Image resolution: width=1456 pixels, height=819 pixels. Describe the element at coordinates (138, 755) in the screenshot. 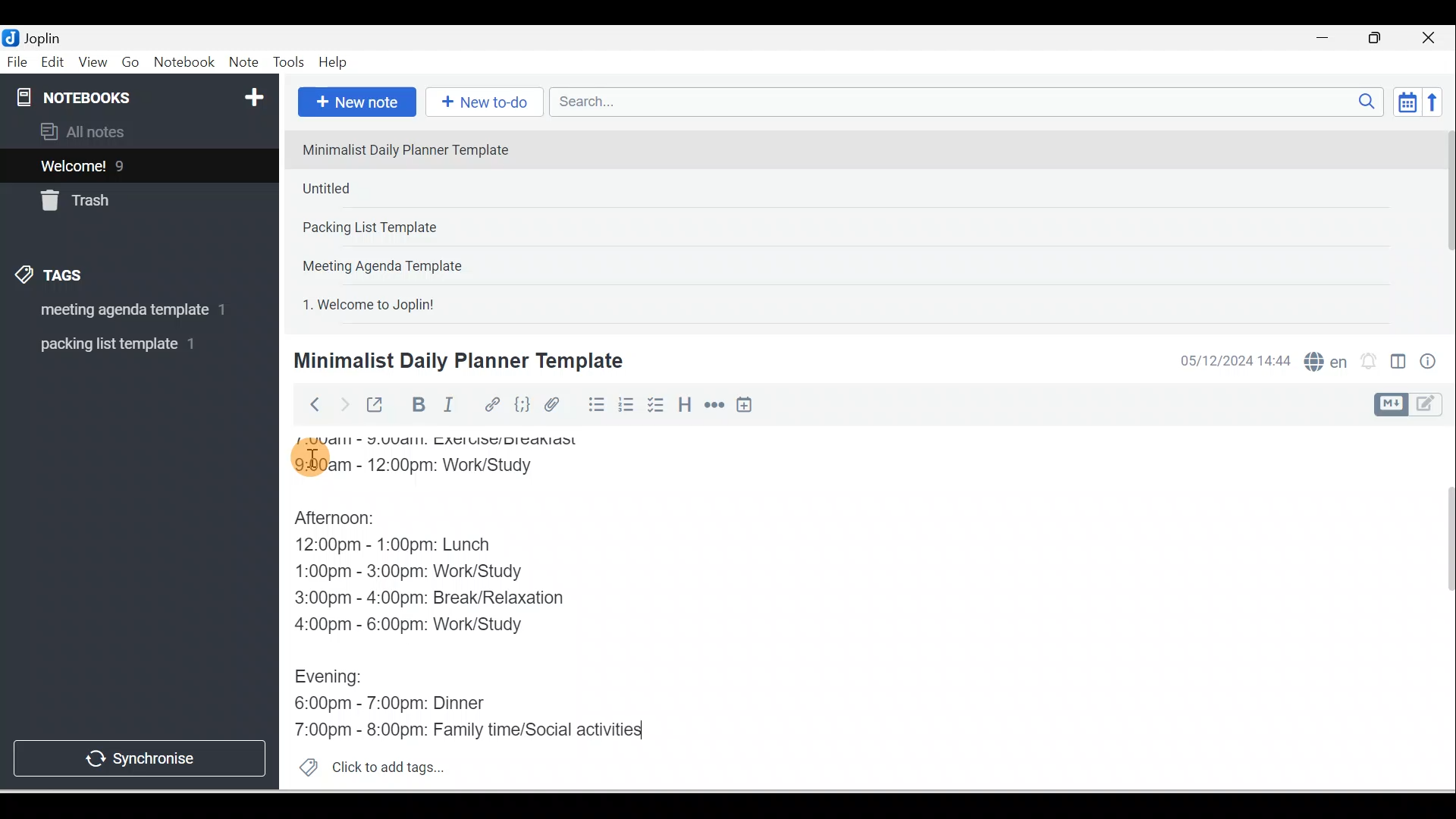

I see `Synchronise` at that location.